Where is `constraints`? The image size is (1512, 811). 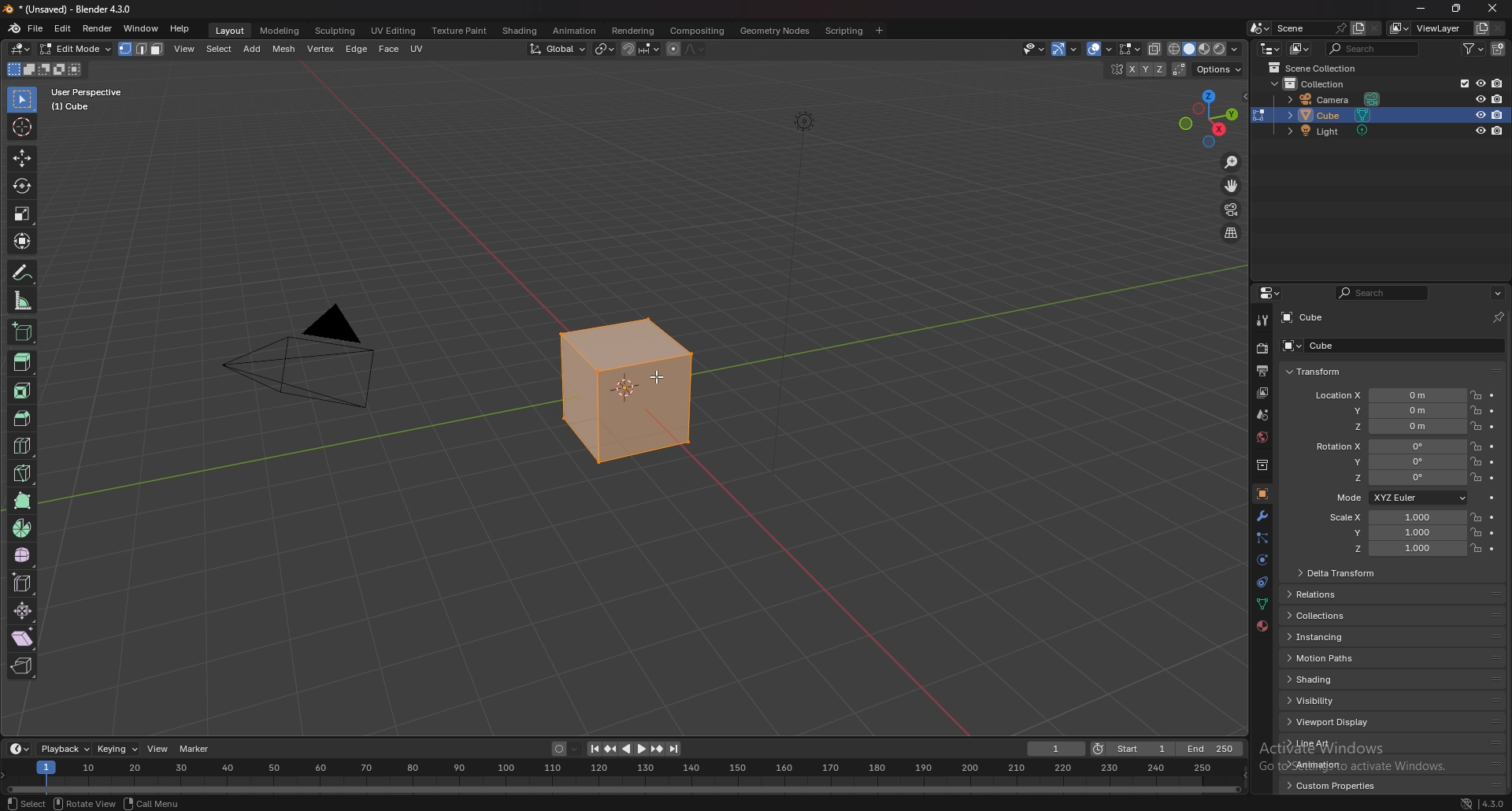
constraints is located at coordinates (1262, 583).